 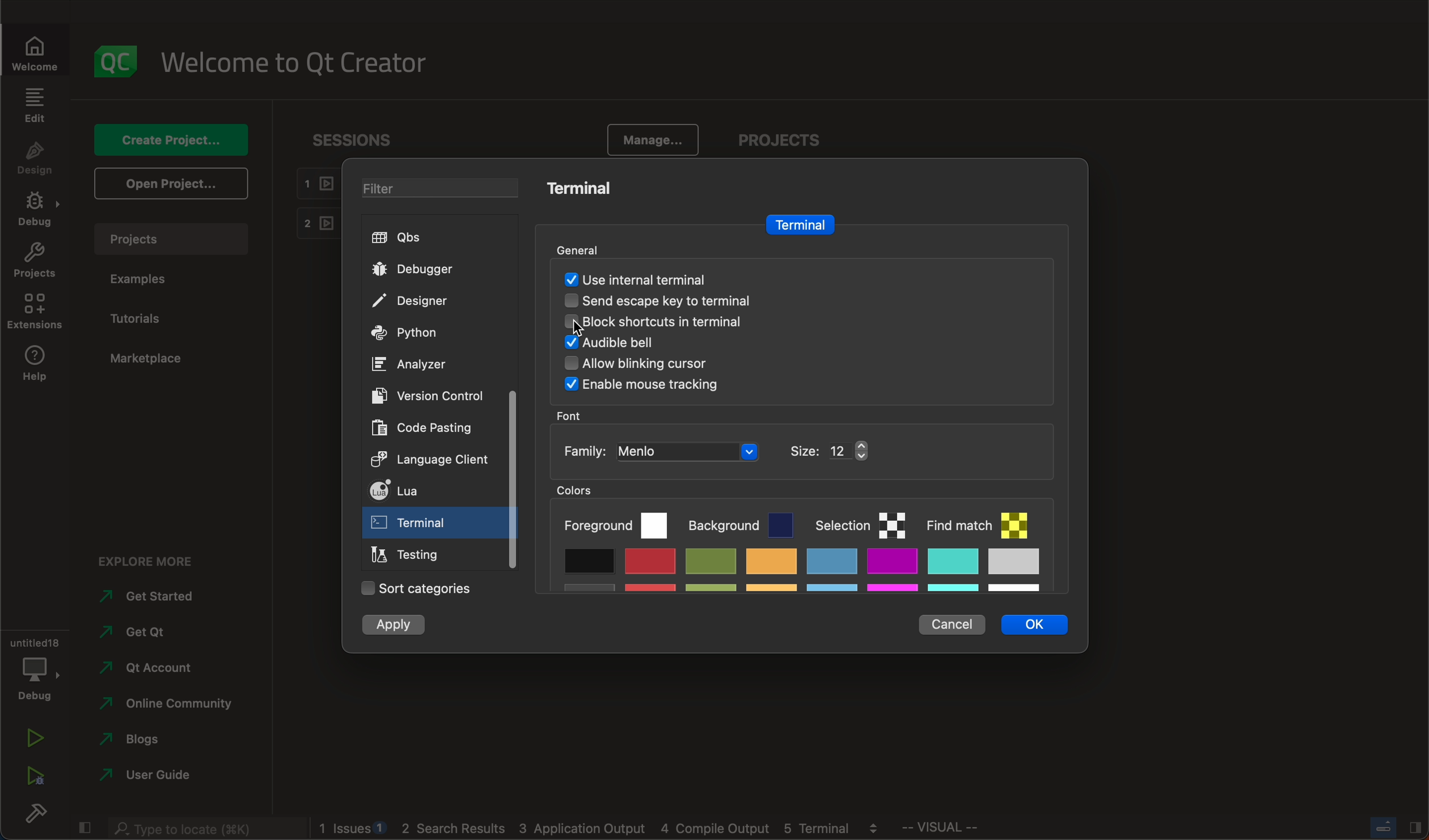 What do you see at coordinates (574, 415) in the screenshot?
I see `font` at bounding box center [574, 415].